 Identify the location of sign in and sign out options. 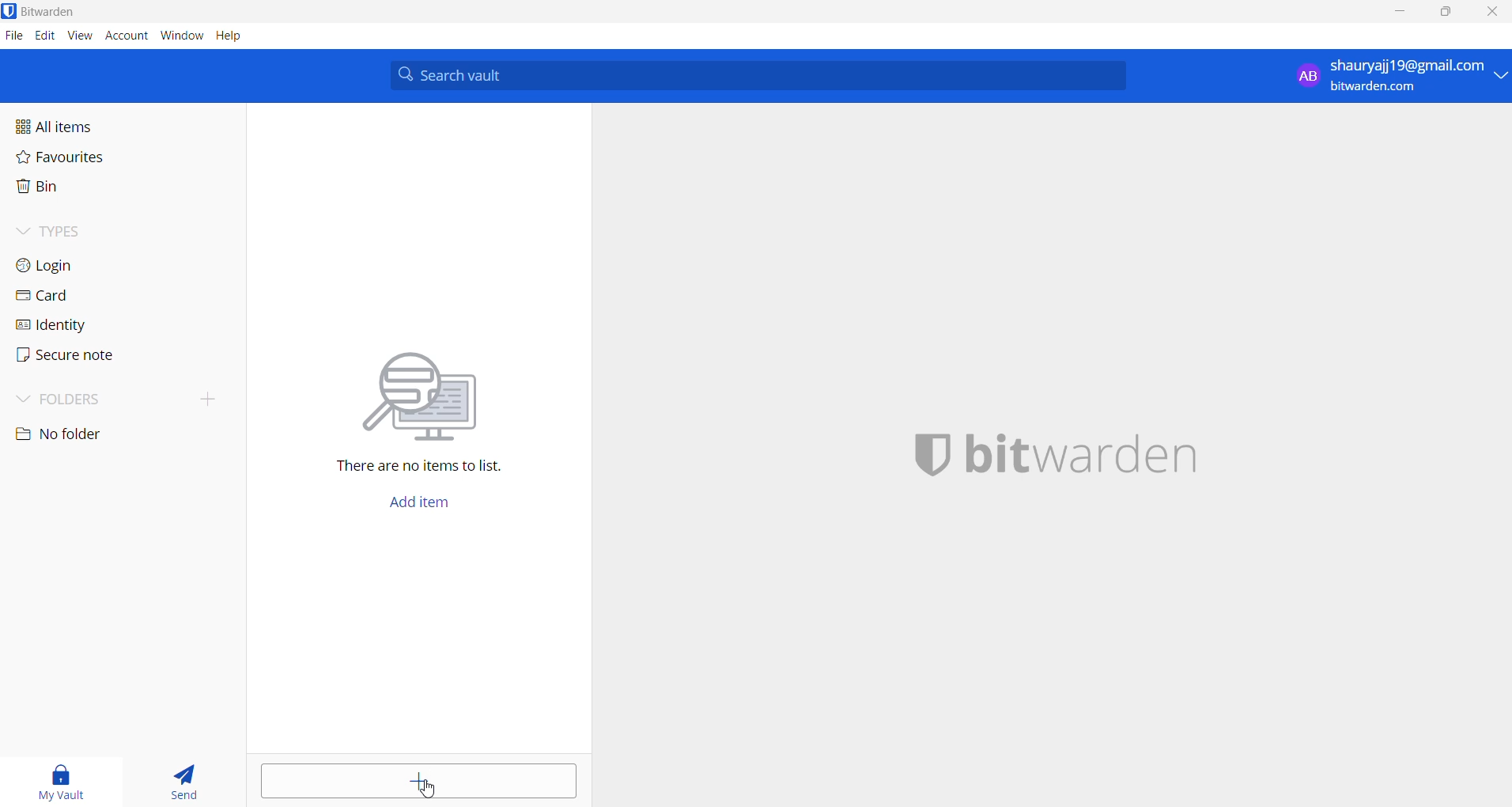
(1397, 76).